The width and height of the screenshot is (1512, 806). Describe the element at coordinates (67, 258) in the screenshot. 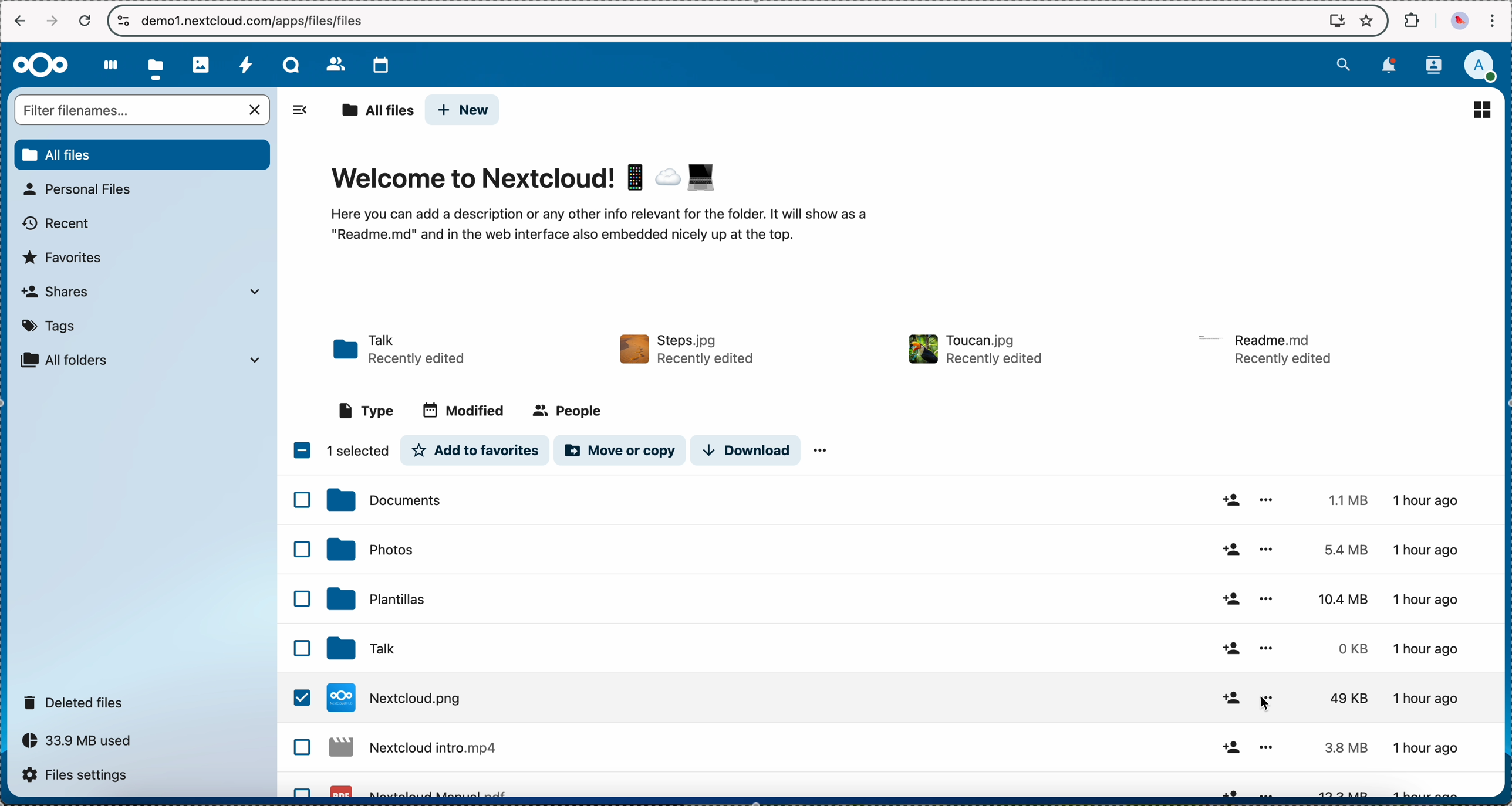

I see `favorites` at that location.